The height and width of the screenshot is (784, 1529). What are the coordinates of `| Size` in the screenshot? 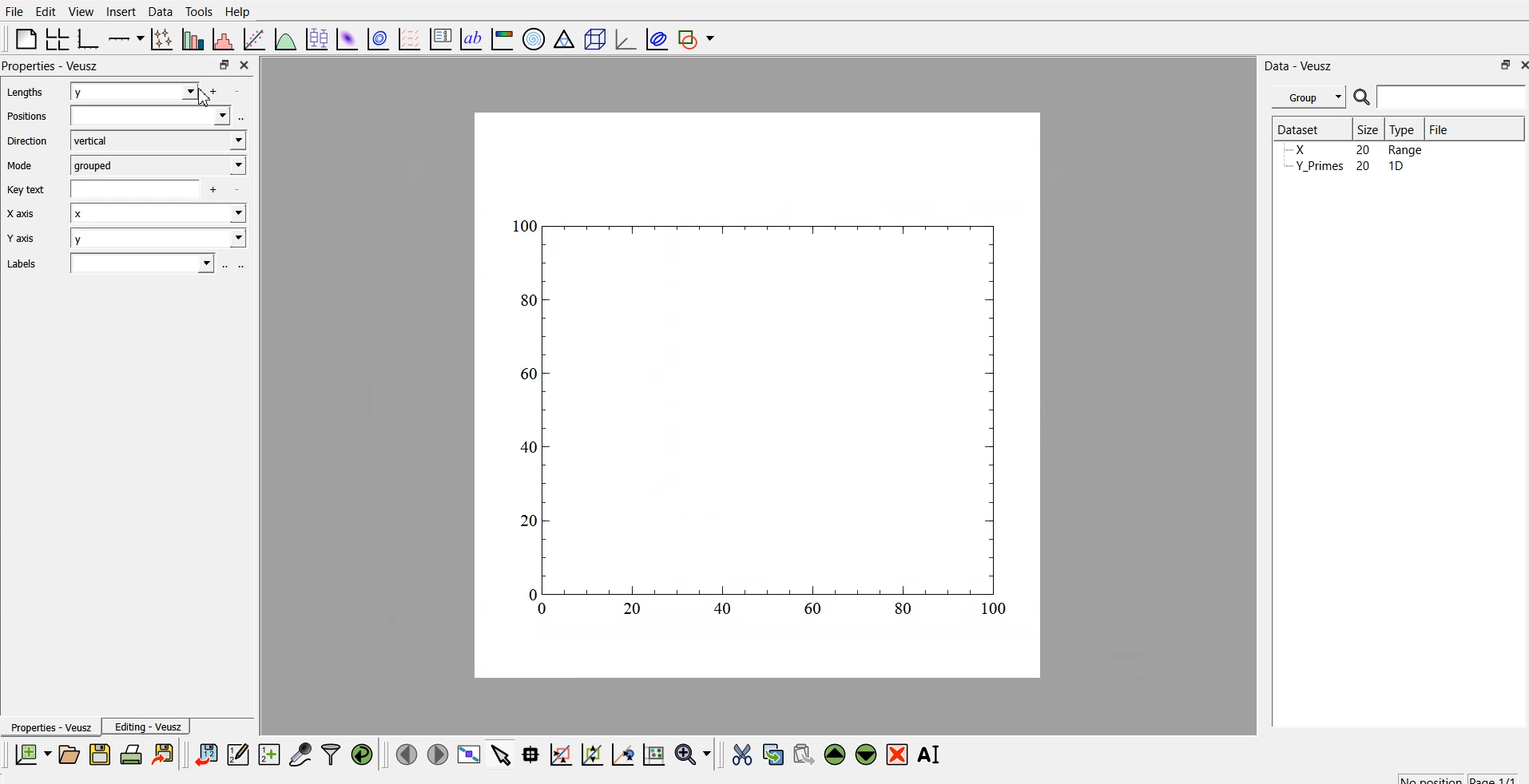 It's located at (1369, 129).